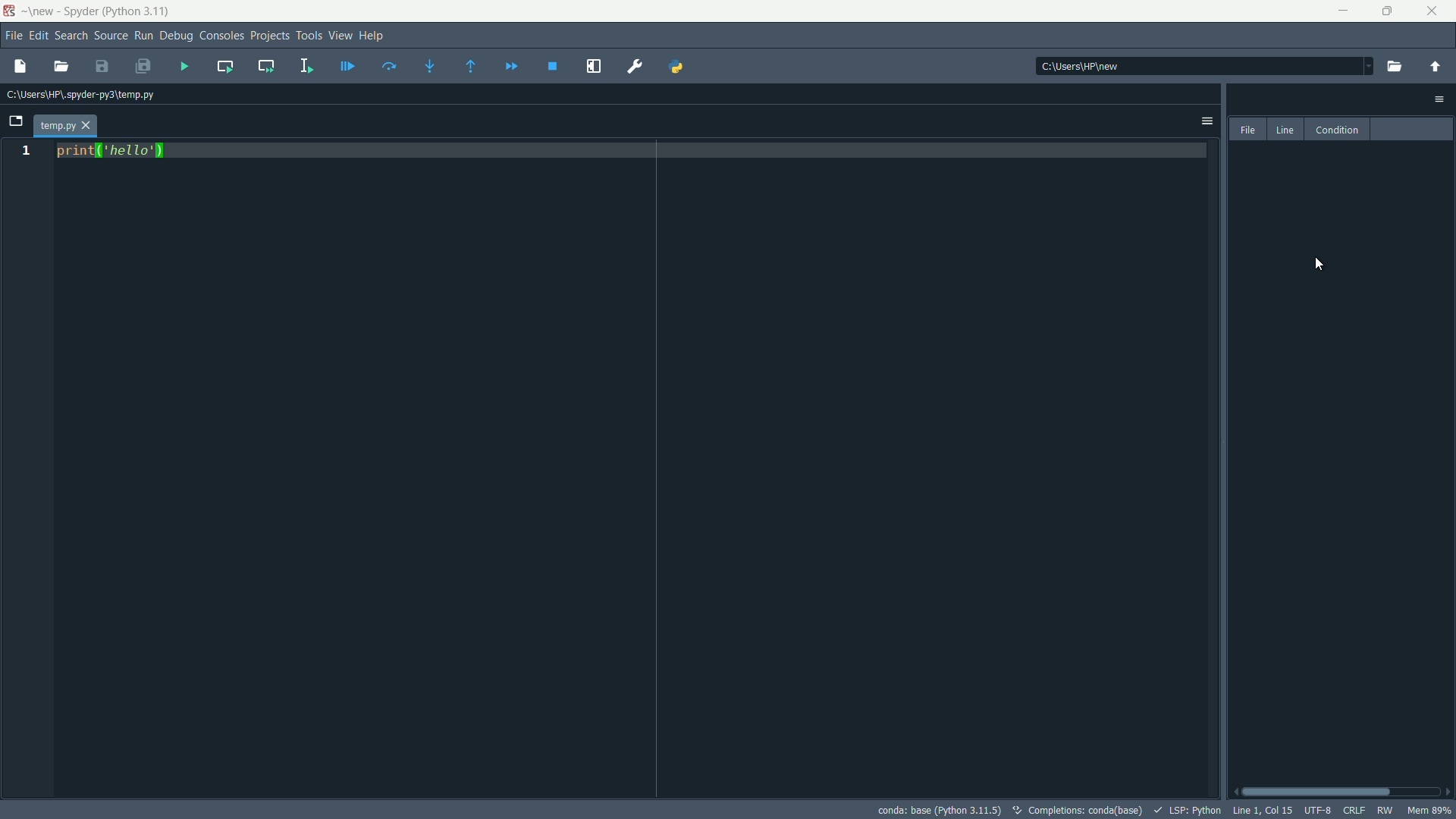  I want to click on new file, so click(17, 67).